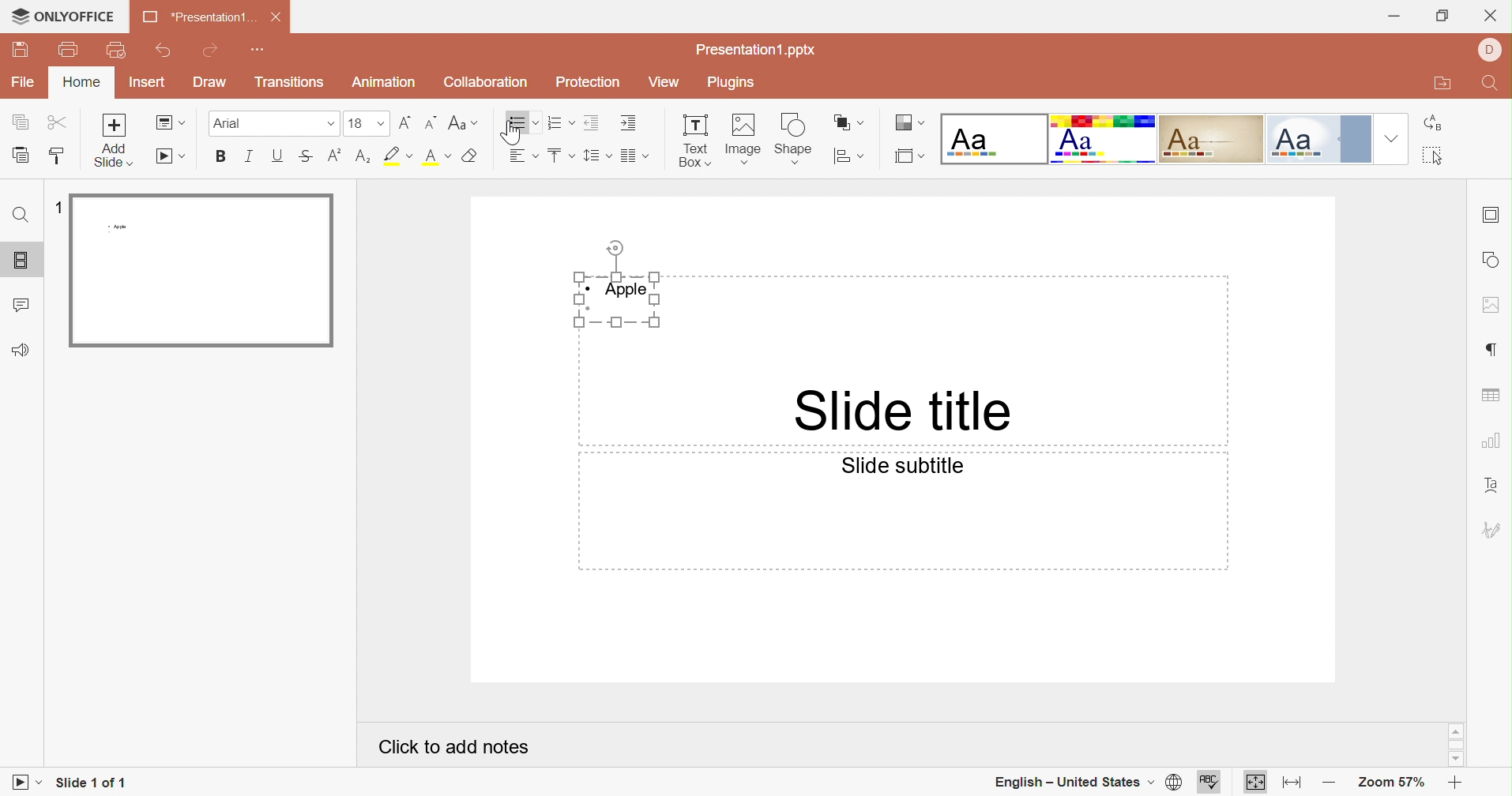 The height and width of the screenshot is (796, 1512). What do you see at coordinates (1490, 85) in the screenshot?
I see `Find` at bounding box center [1490, 85].